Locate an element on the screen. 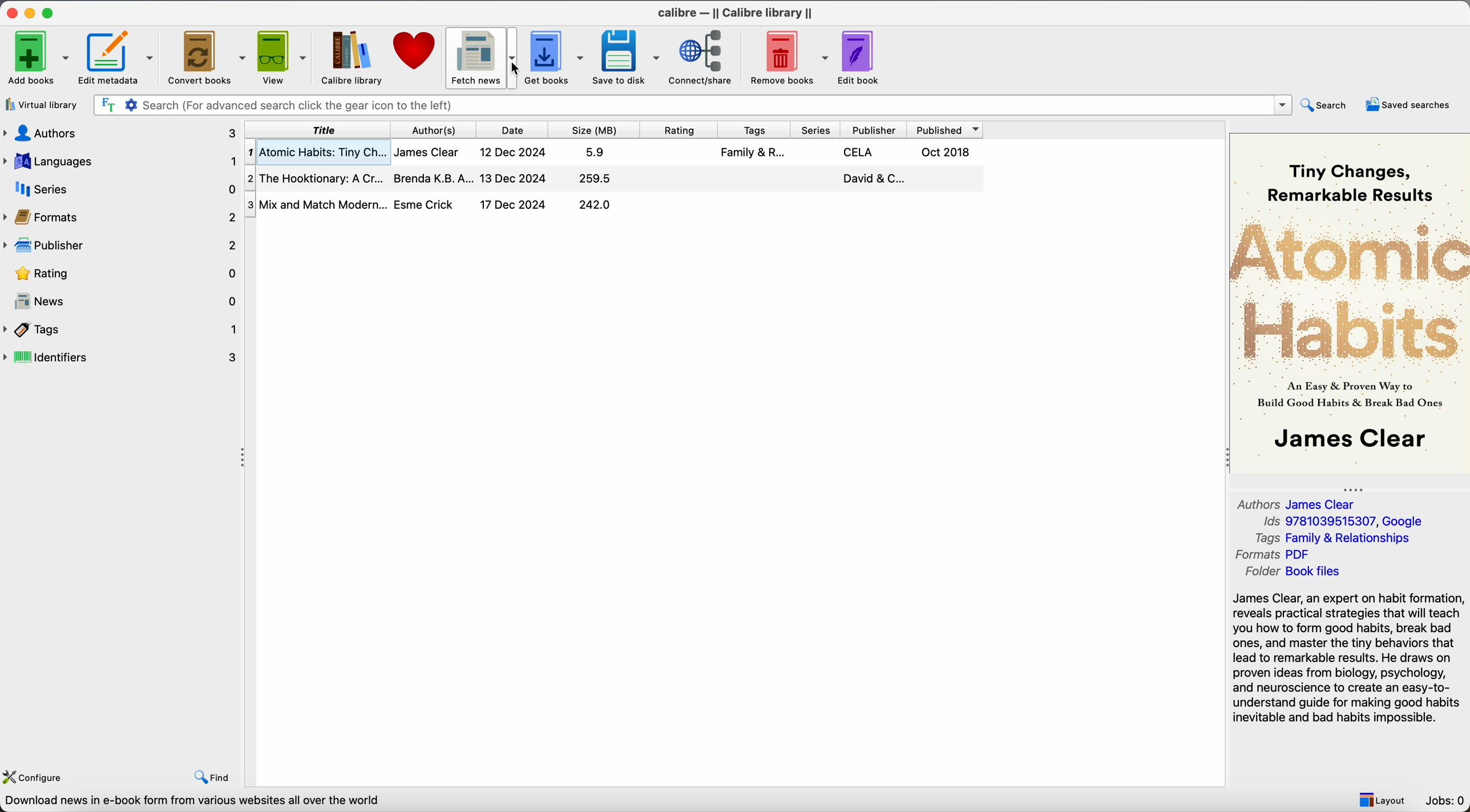 The width and height of the screenshot is (1470, 812). Edit metadata is located at coordinates (118, 57).